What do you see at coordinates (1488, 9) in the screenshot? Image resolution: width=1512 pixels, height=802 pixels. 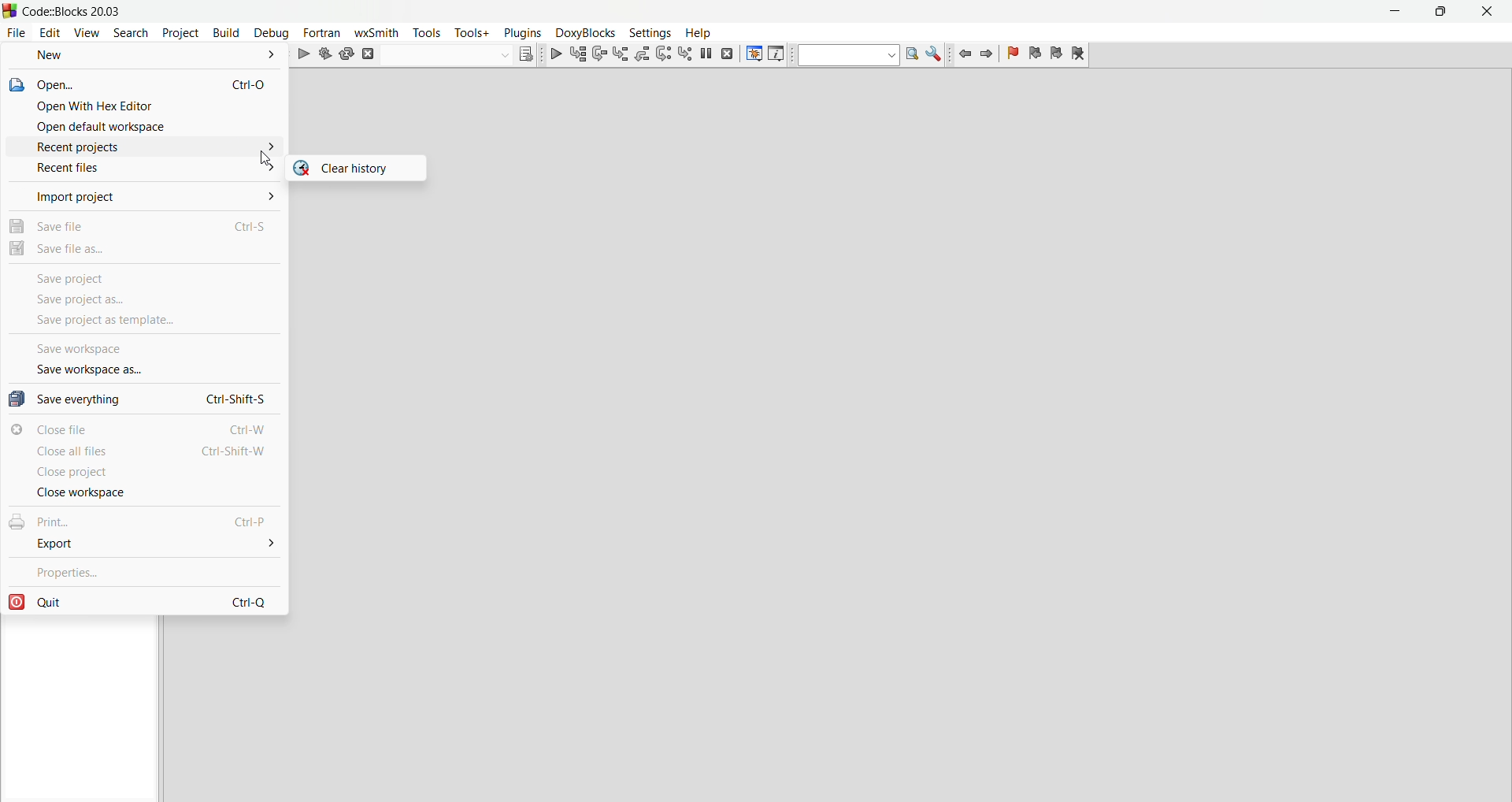 I see `close` at bounding box center [1488, 9].